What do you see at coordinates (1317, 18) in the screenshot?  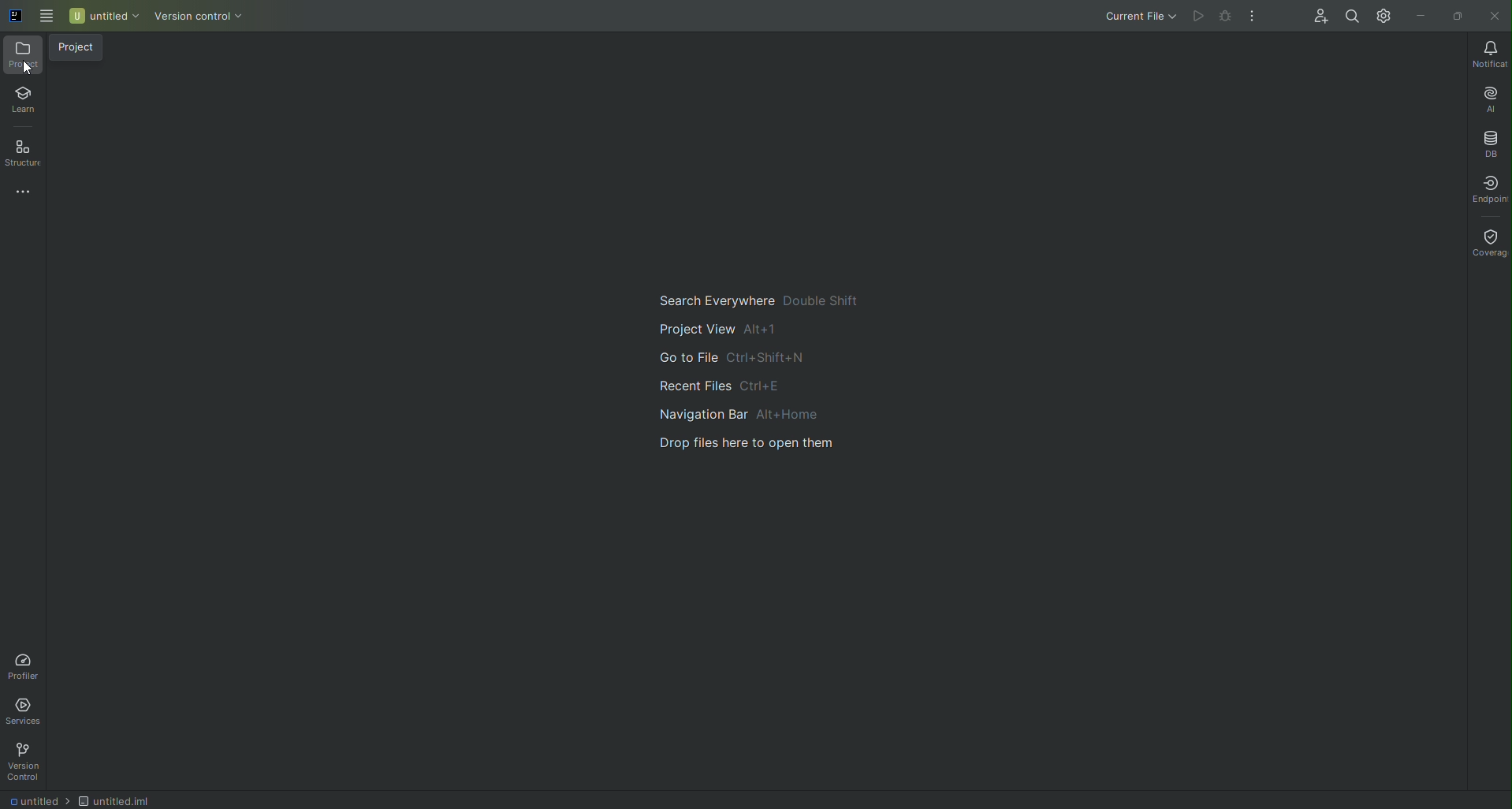 I see `Code With Me` at bounding box center [1317, 18].